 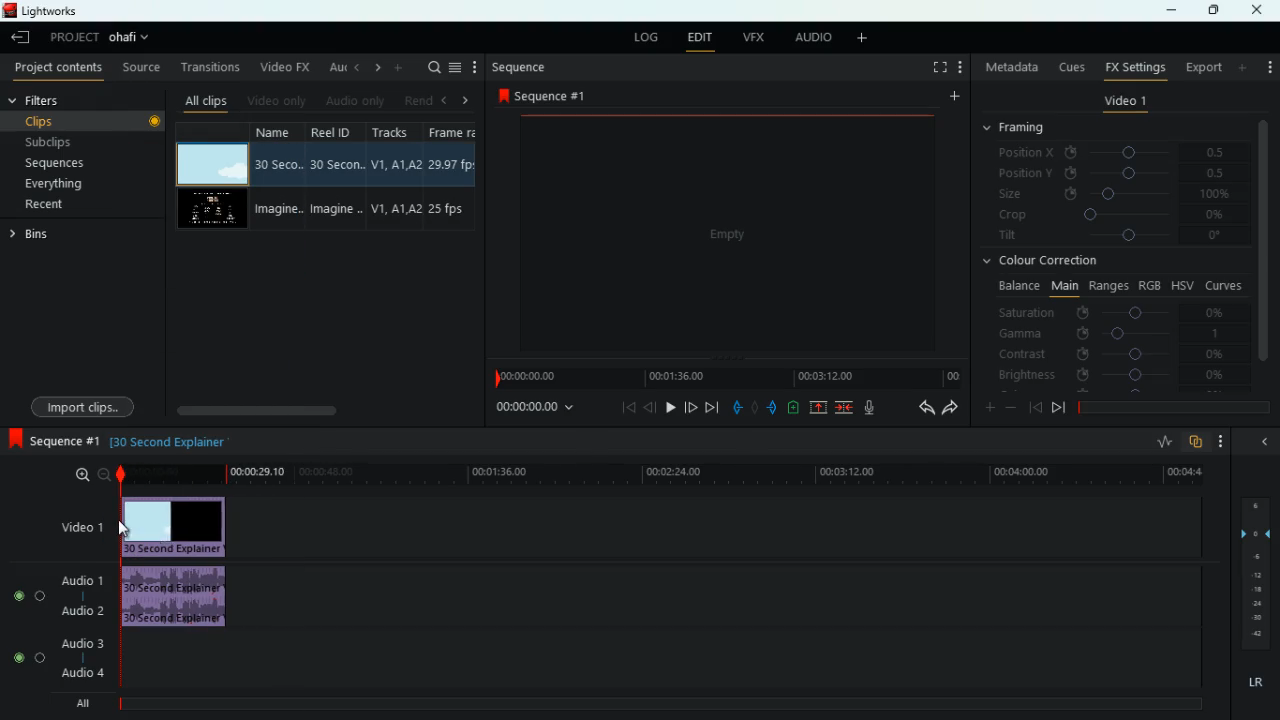 I want to click on video, so click(x=181, y=525).